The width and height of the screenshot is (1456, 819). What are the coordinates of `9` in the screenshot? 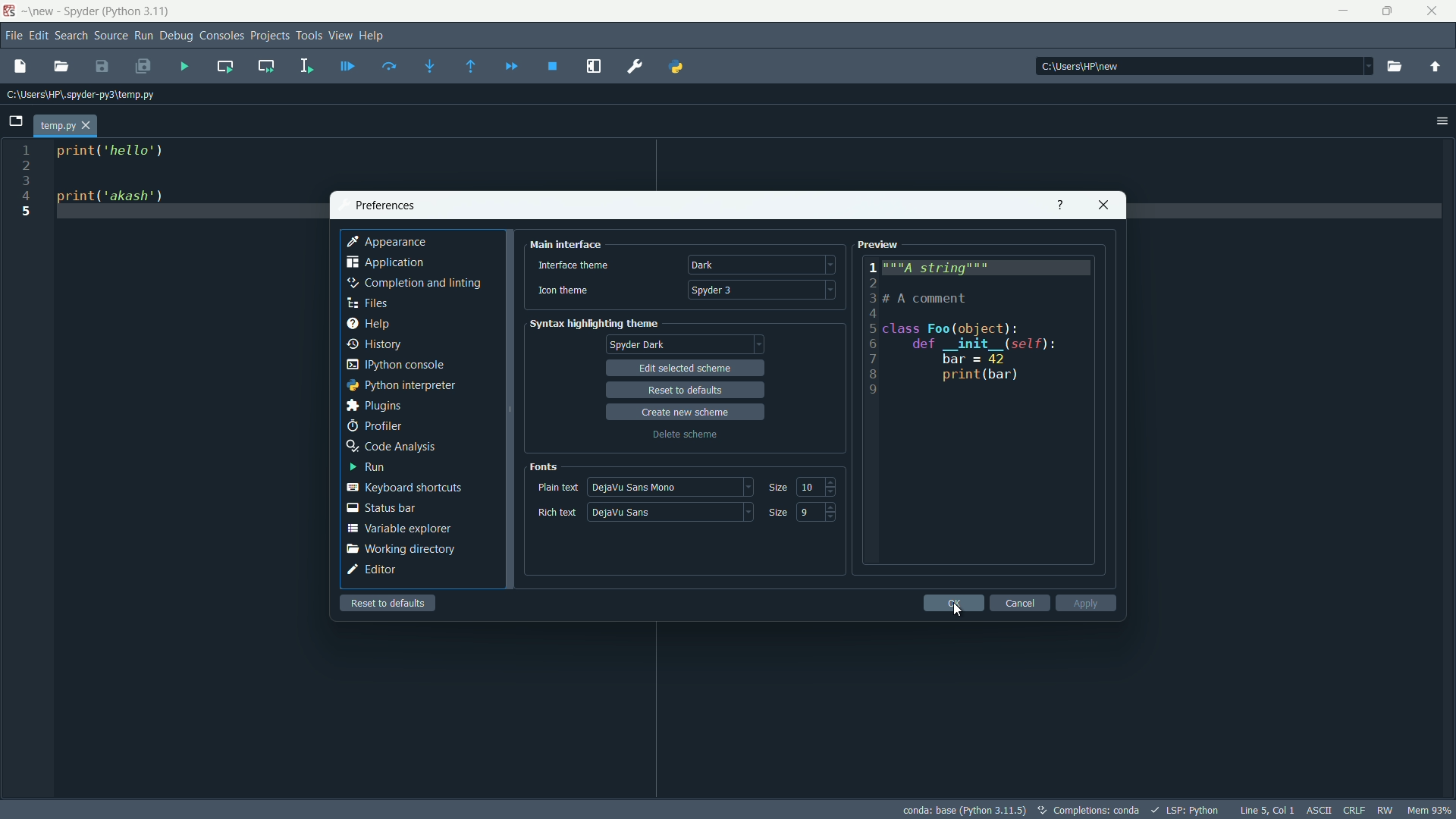 It's located at (808, 511).